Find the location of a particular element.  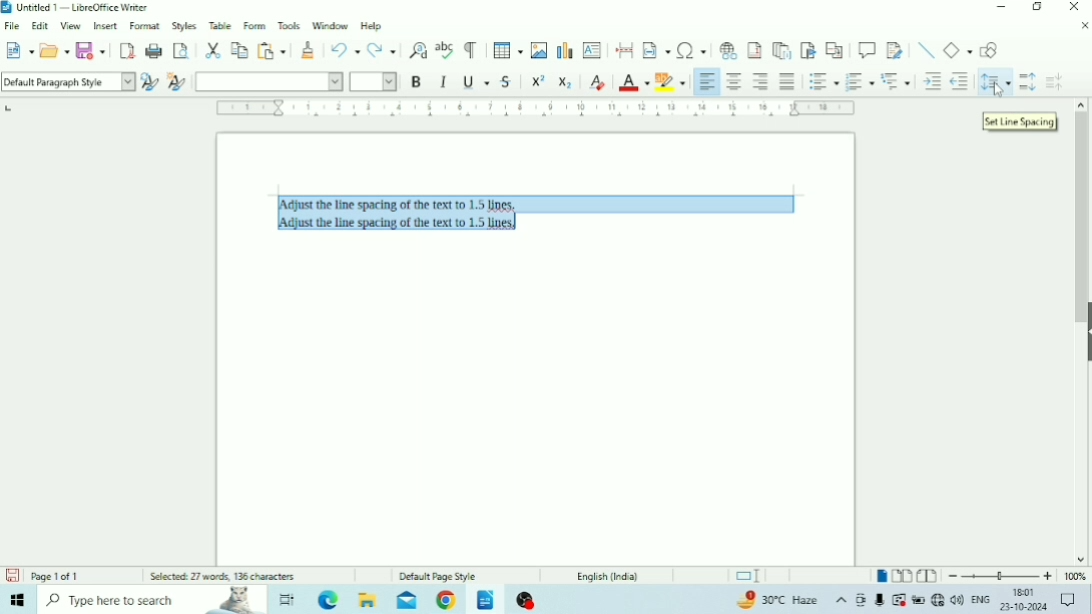

Standard selection is located at coordinates (751, 576).